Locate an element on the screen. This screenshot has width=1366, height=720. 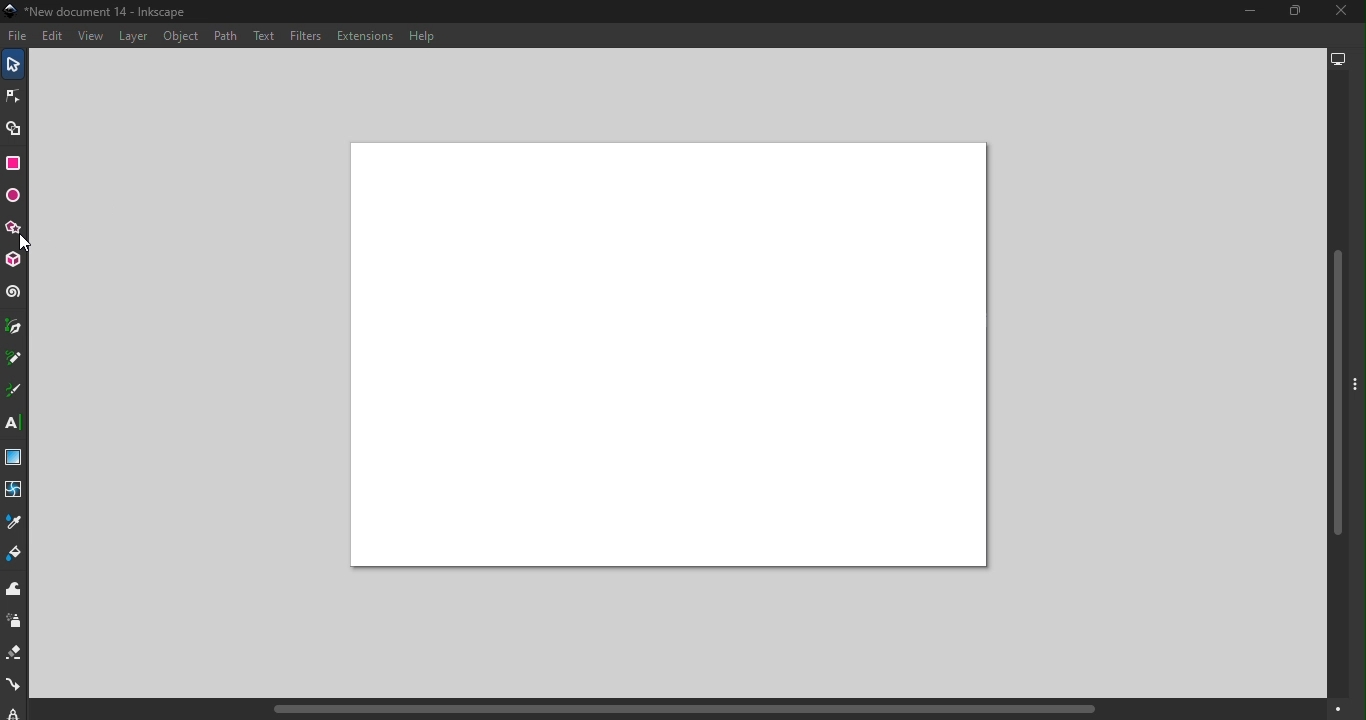
Close is located at coordinates (1342, 12).